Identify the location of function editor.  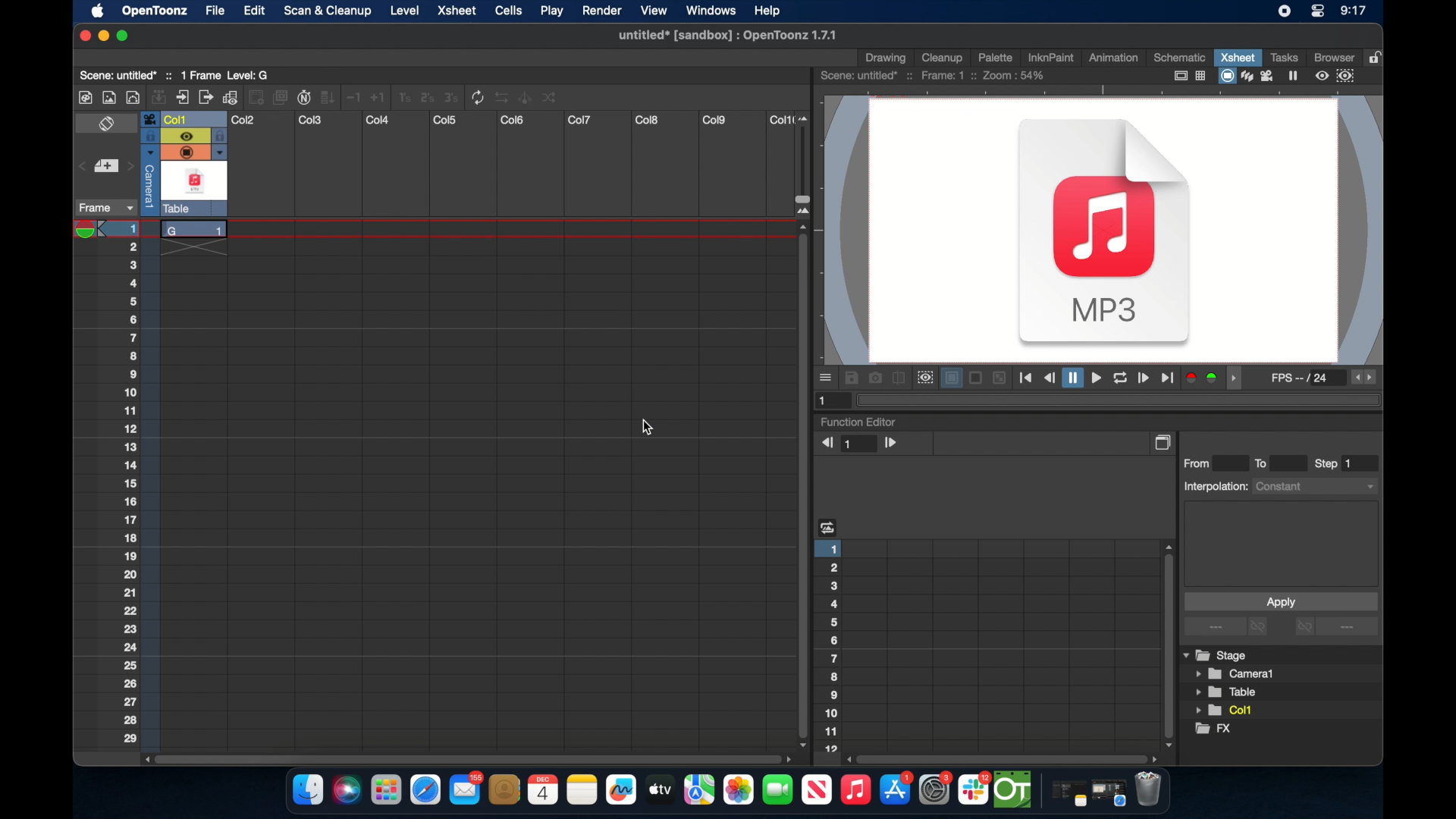
(858, 421).